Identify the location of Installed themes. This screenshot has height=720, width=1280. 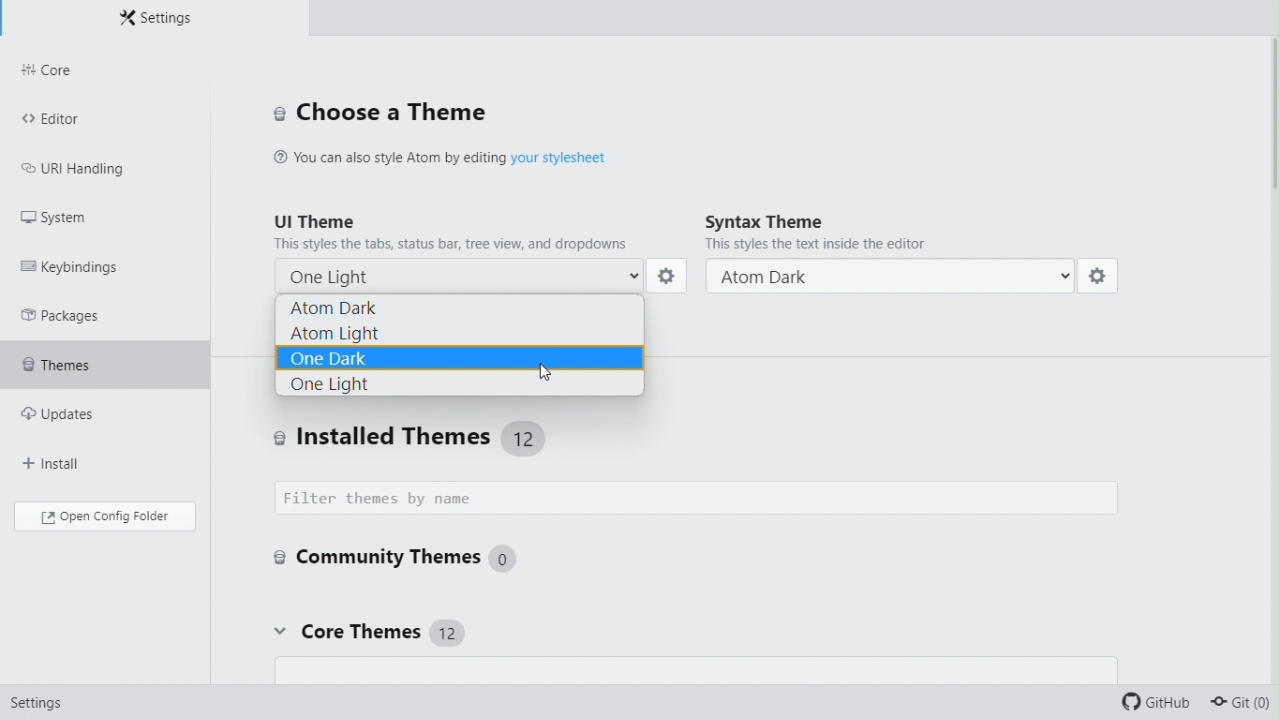
(484, 437).